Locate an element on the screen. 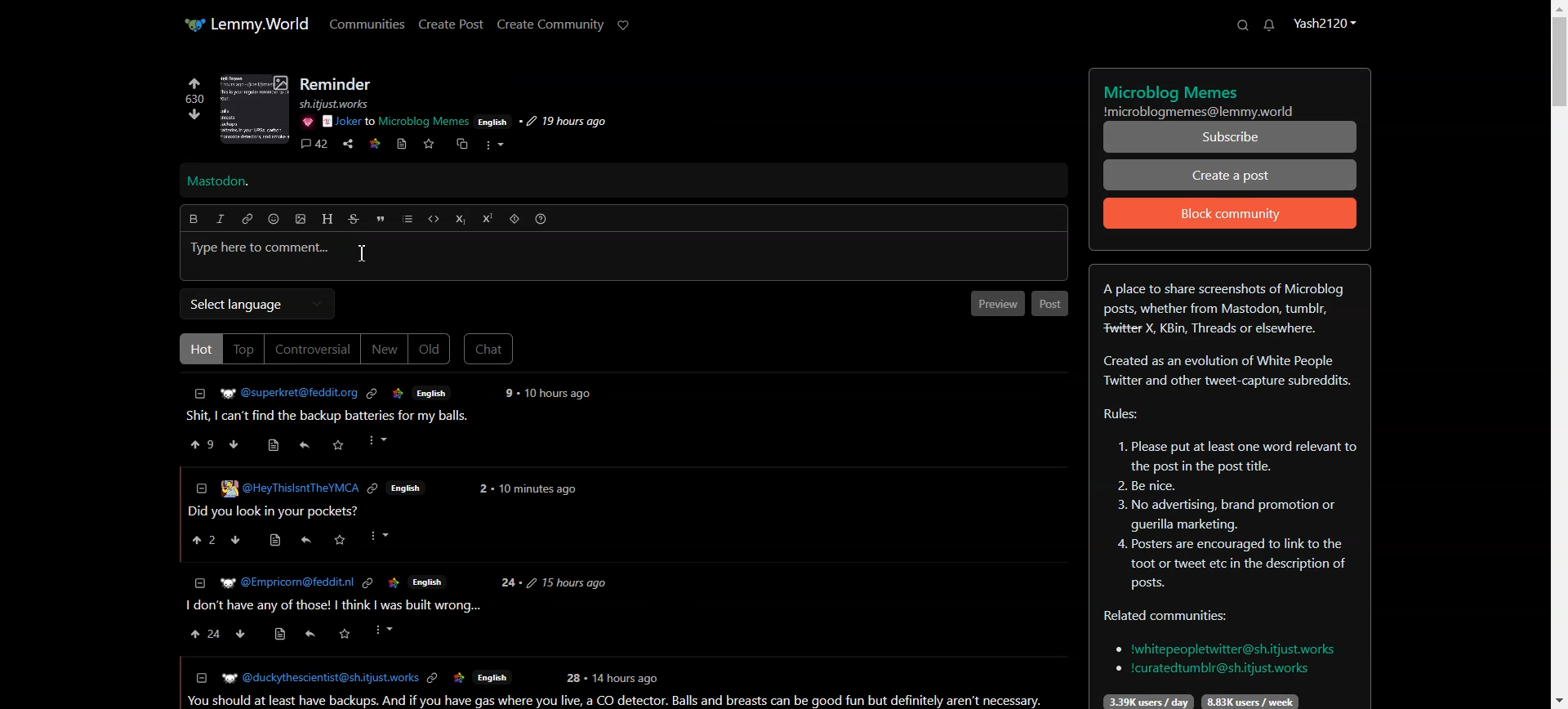 Image resolution: width=1568 pixels, height=709 pixels. Go to source is located at coordinates (403, 144).